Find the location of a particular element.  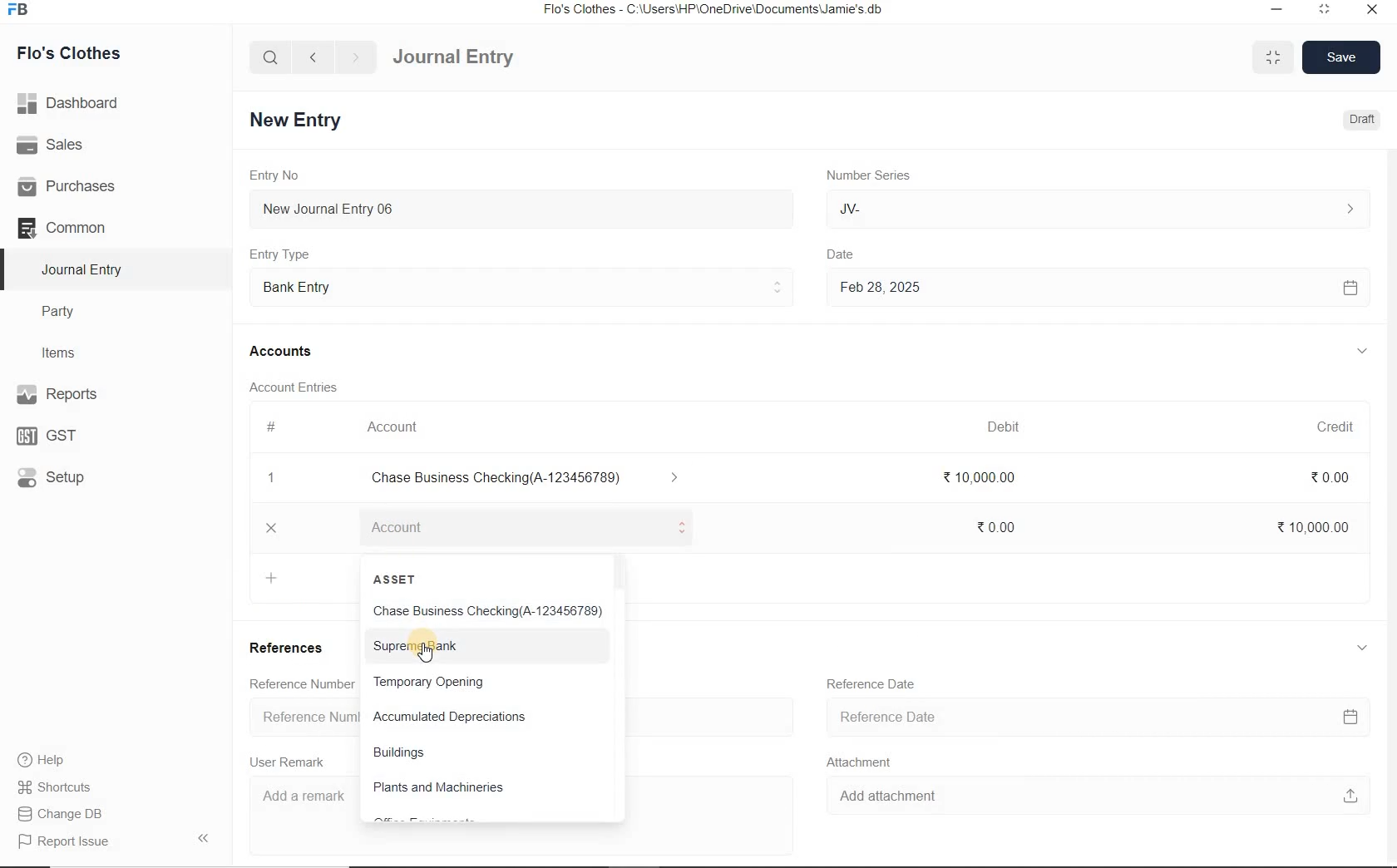

Draft is located at coordinates (1359, 120).